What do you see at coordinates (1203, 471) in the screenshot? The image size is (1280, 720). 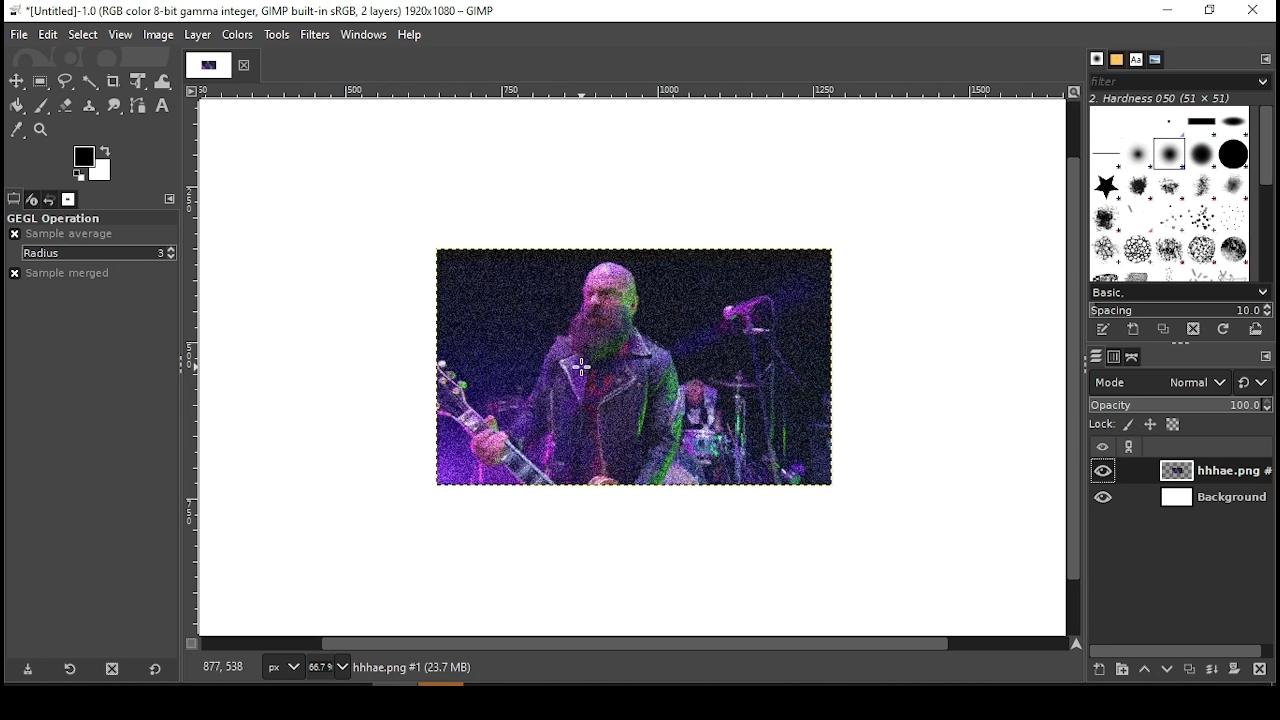 I see `layer ` at bounding box center [1203, 471].